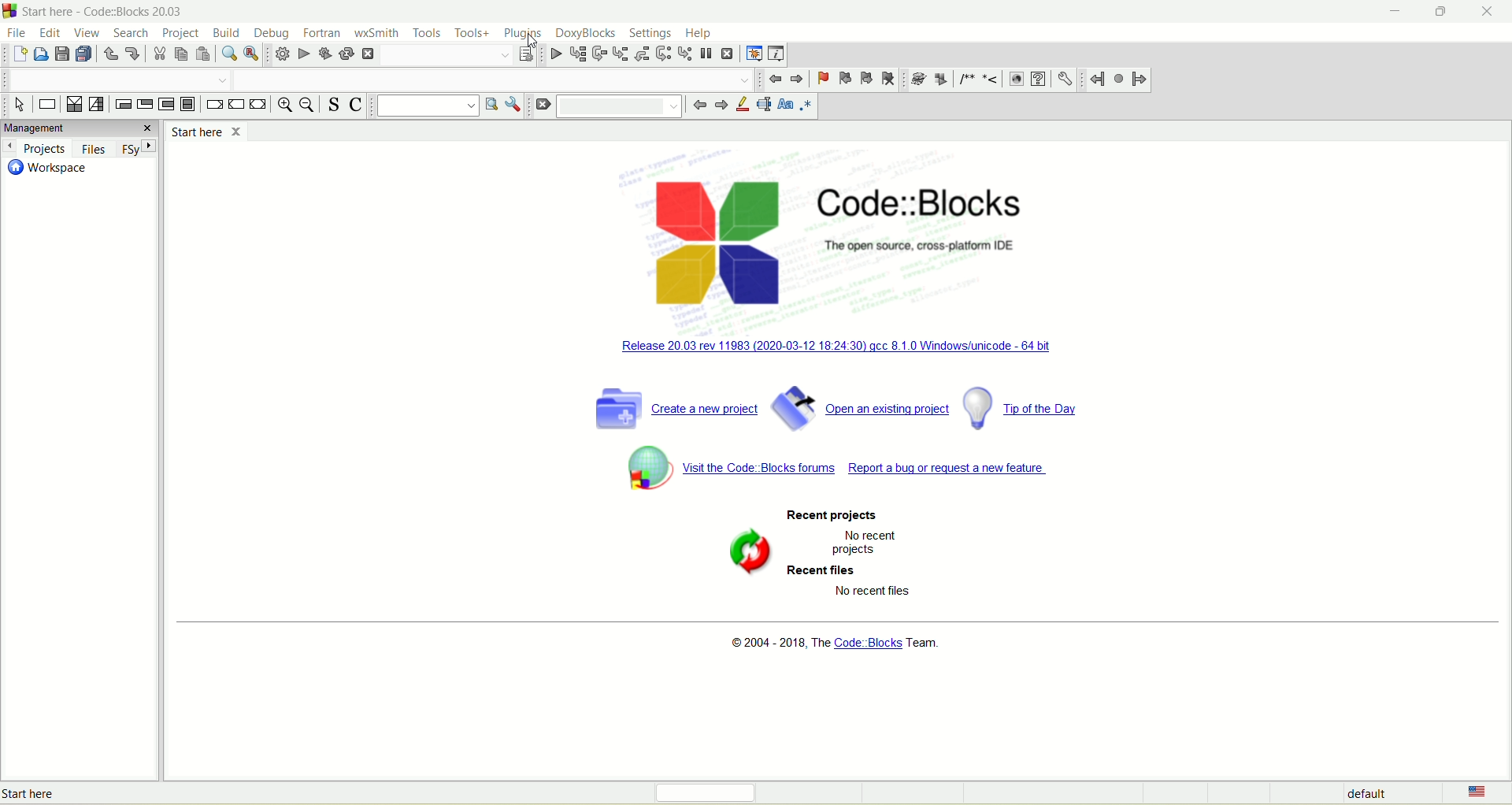  Describe the element at coordinates (1445, 9) in the screenshot. I see `maximize` at that location.